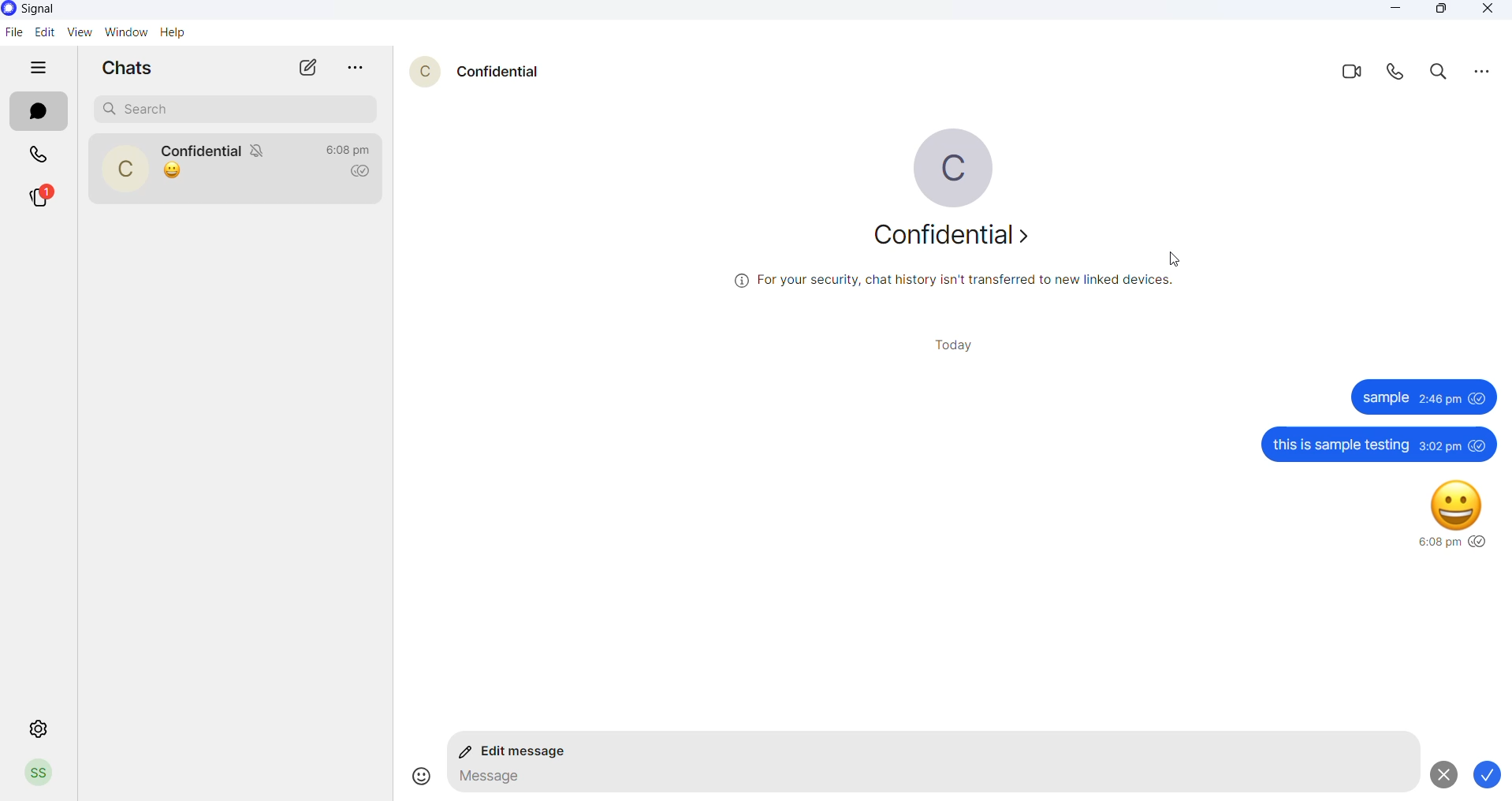 The image size is (1512, 801). I want to click on security related information, so click(957, 281).